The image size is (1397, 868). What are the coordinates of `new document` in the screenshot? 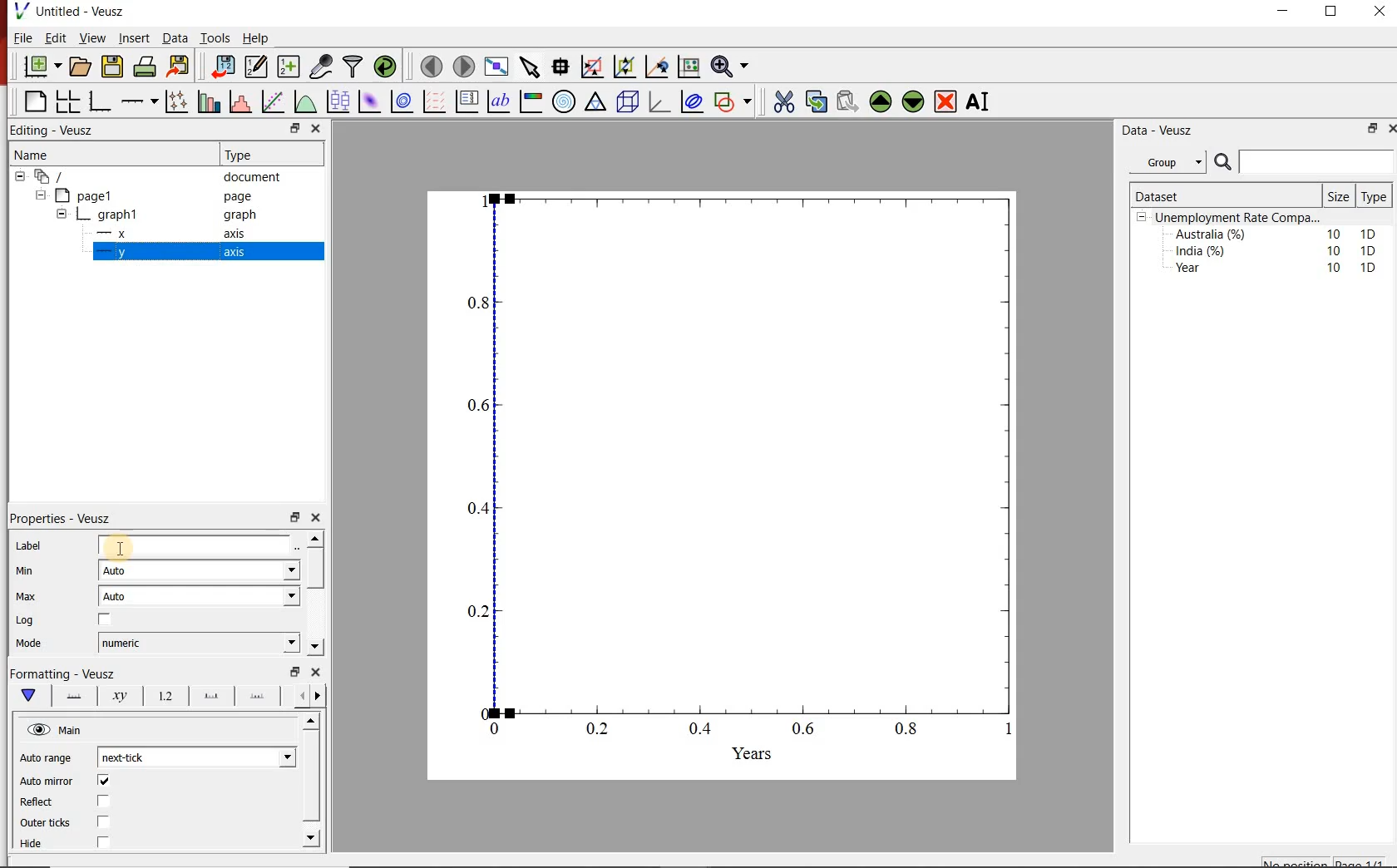 It's located at (43, 66).